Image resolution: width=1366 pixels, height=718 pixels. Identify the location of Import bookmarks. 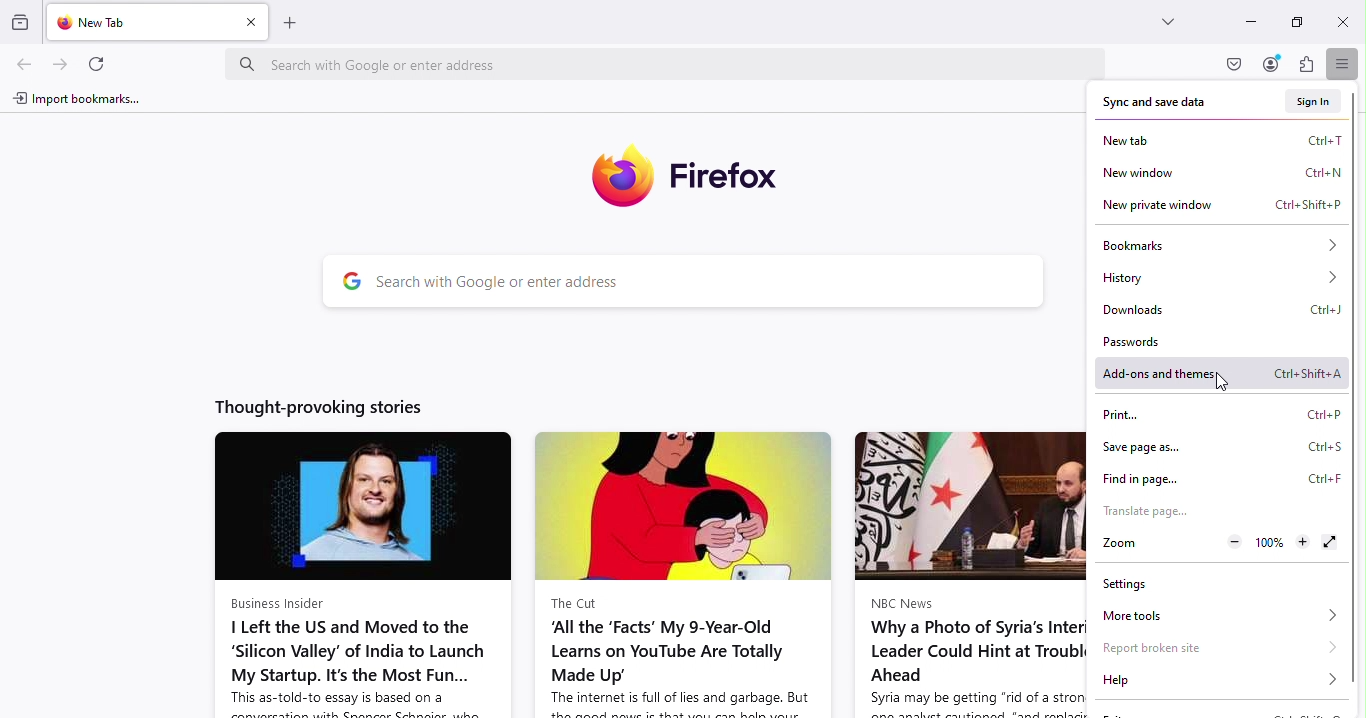
(77, 96).